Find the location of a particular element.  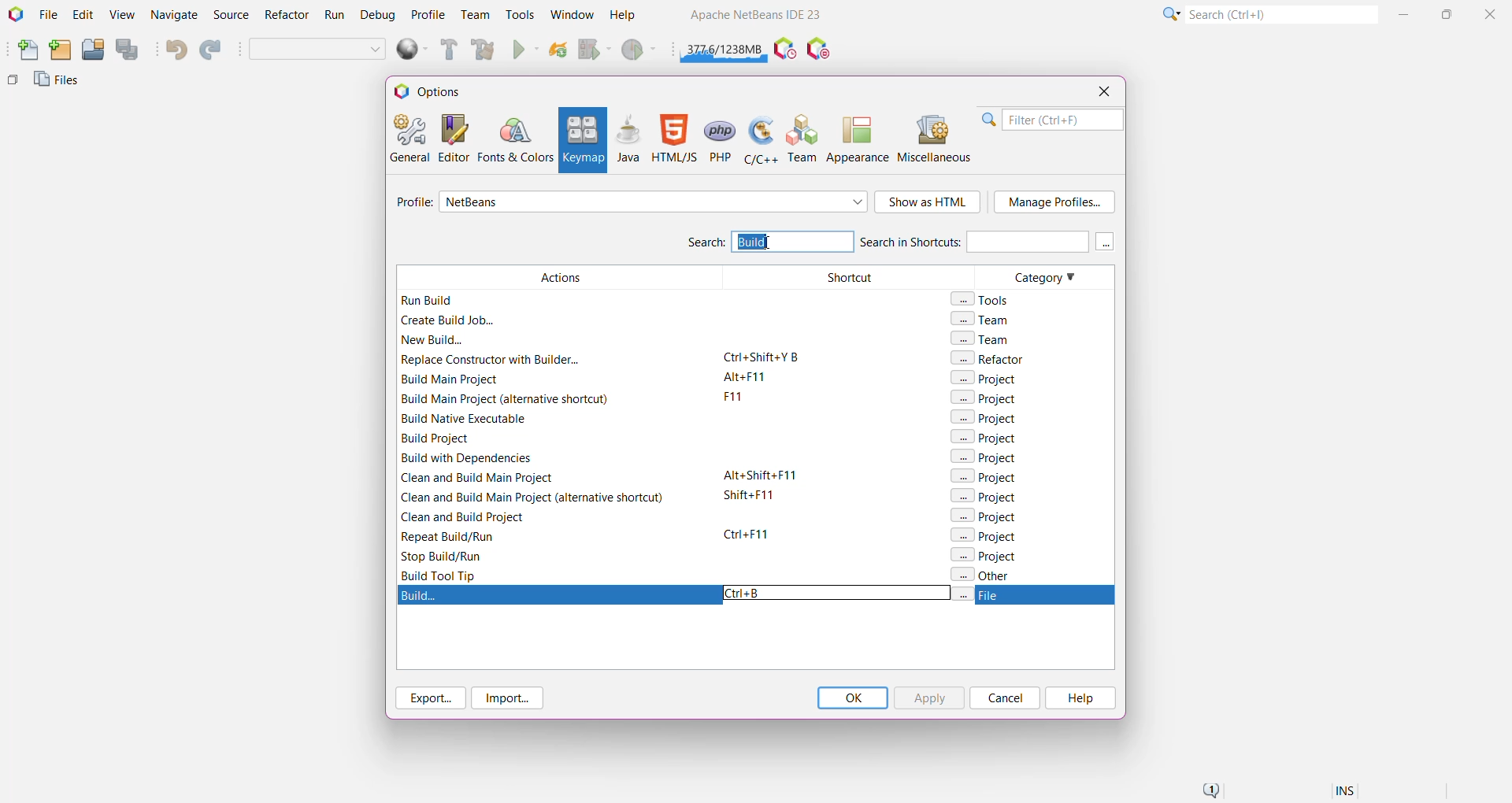

Minimize is located at coordinates (1406, 14).